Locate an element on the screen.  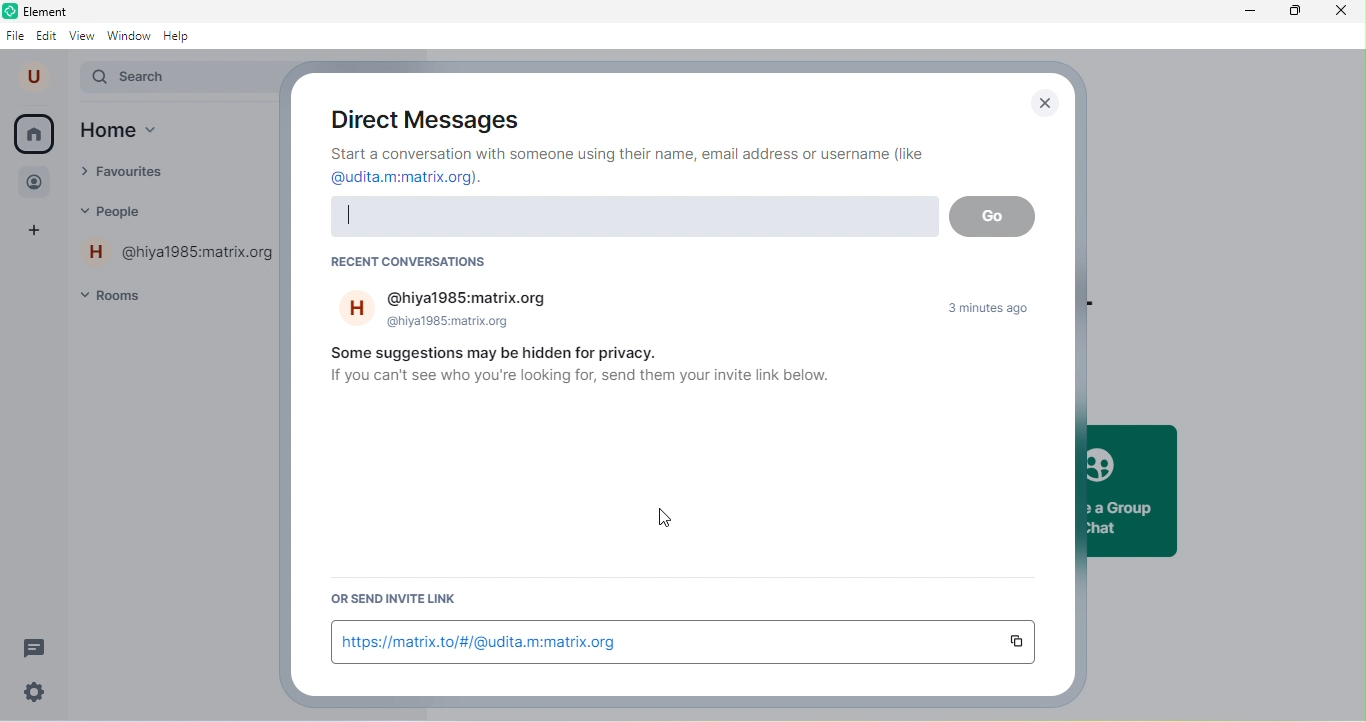
maximize is located at coordinates (1290, 13).